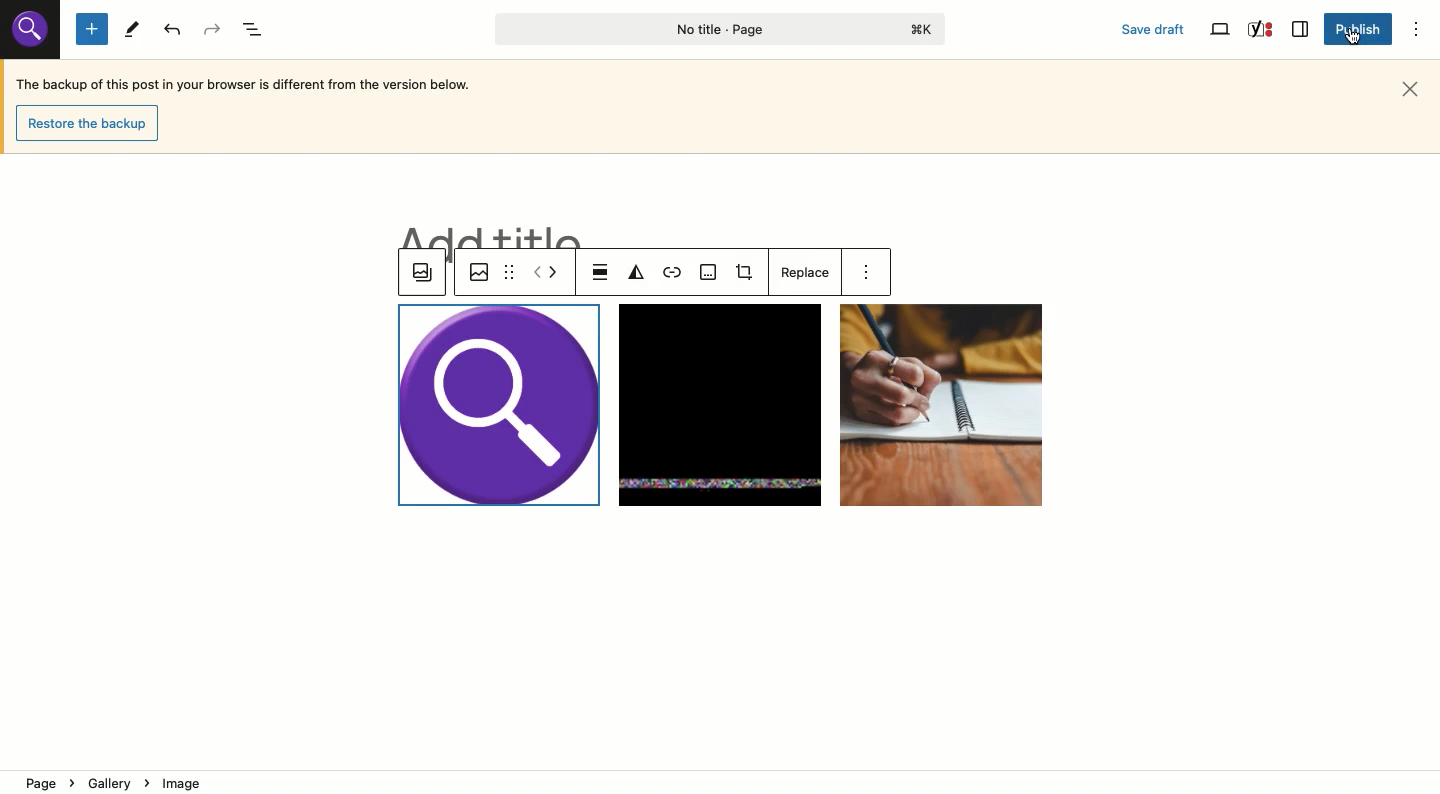 The width and height of the screenshot is (1440, 794). Describe the element at coordinates (35, 31) in the screenshot. I see `logo` at that location.